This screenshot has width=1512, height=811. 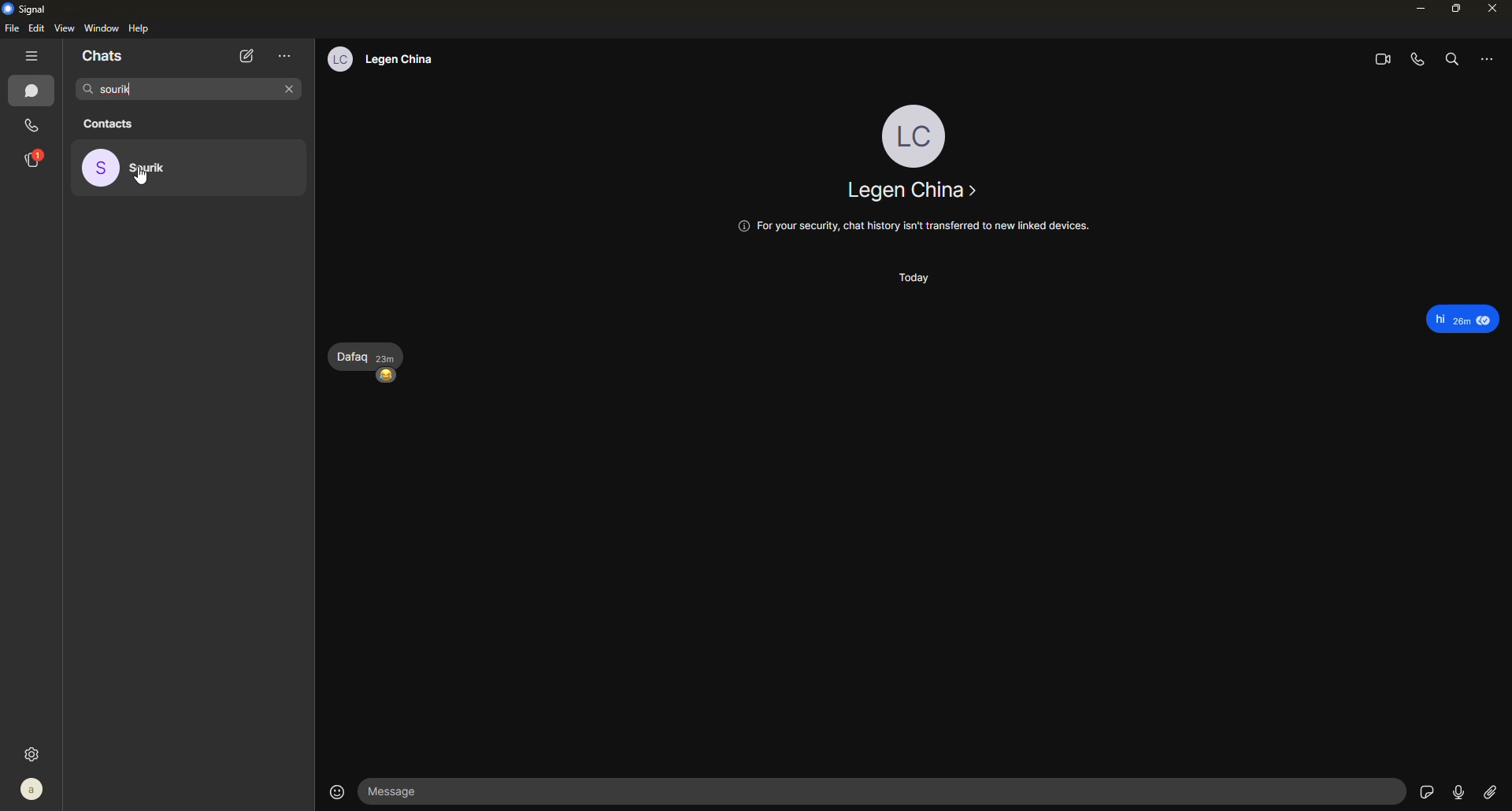 What do you see at coordinates (144, 178) in the screenshot?
I see `cursor` at bounding box center [144, 178].